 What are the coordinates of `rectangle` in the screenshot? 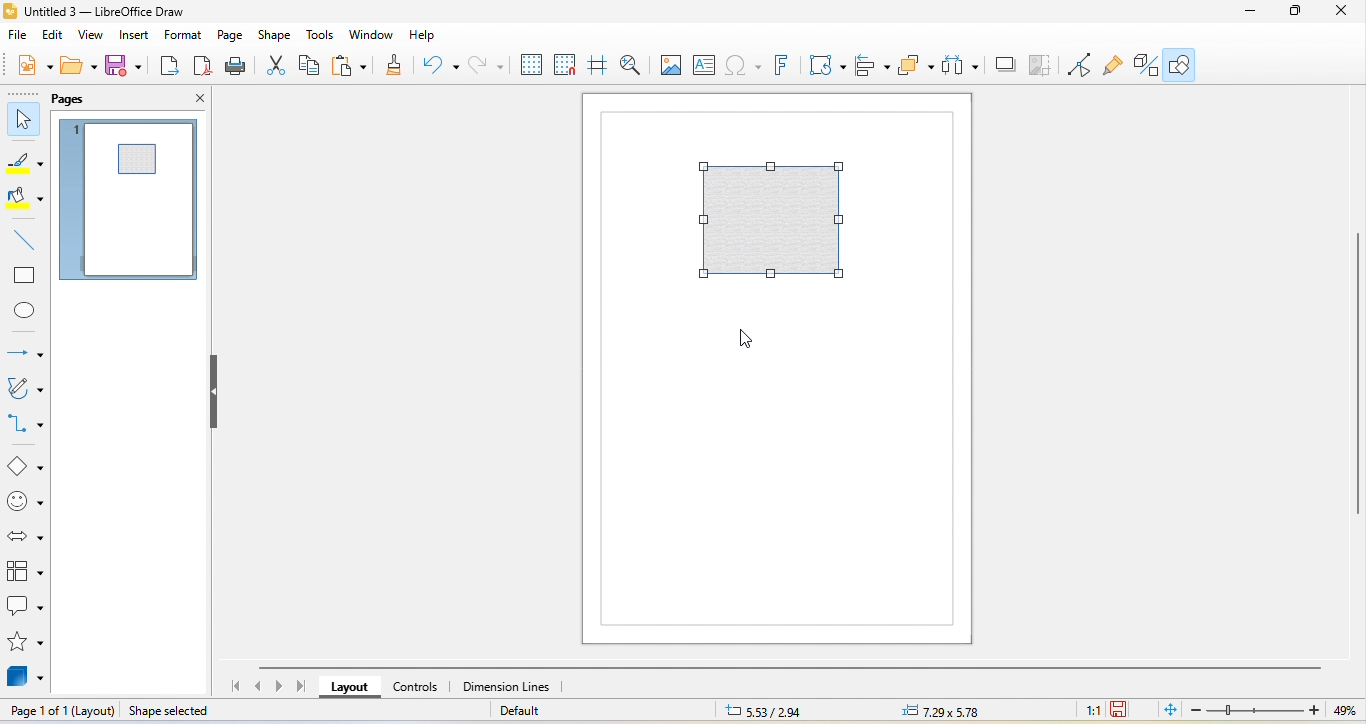 It's located at (25, 278).